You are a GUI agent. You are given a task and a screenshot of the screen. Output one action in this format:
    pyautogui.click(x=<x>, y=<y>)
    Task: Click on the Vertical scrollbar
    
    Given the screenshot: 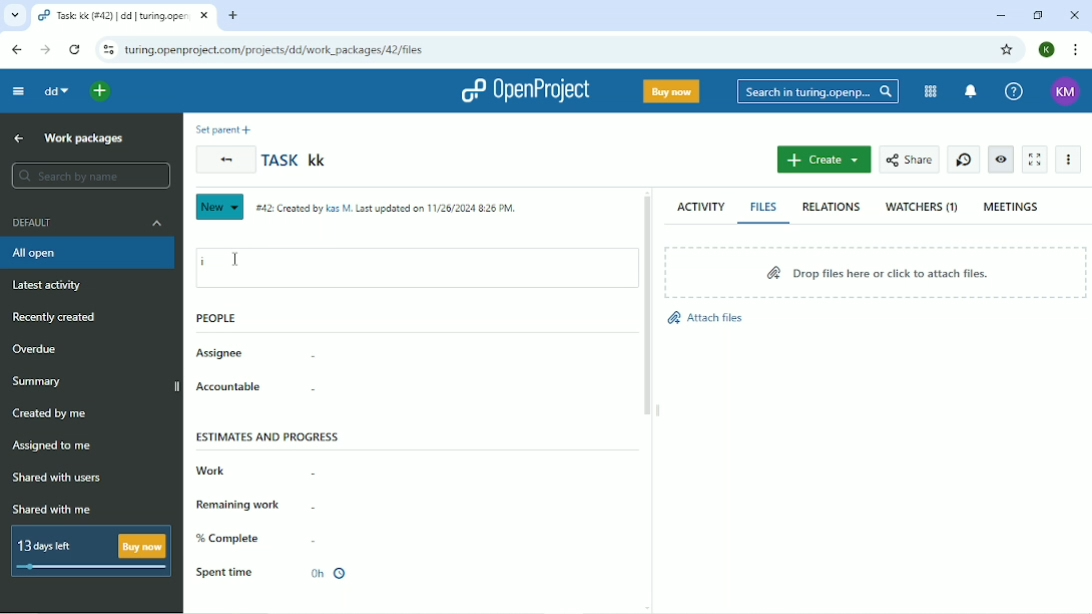 What is the action you would take?
    pyautogui.click(x=647, y=307)
    